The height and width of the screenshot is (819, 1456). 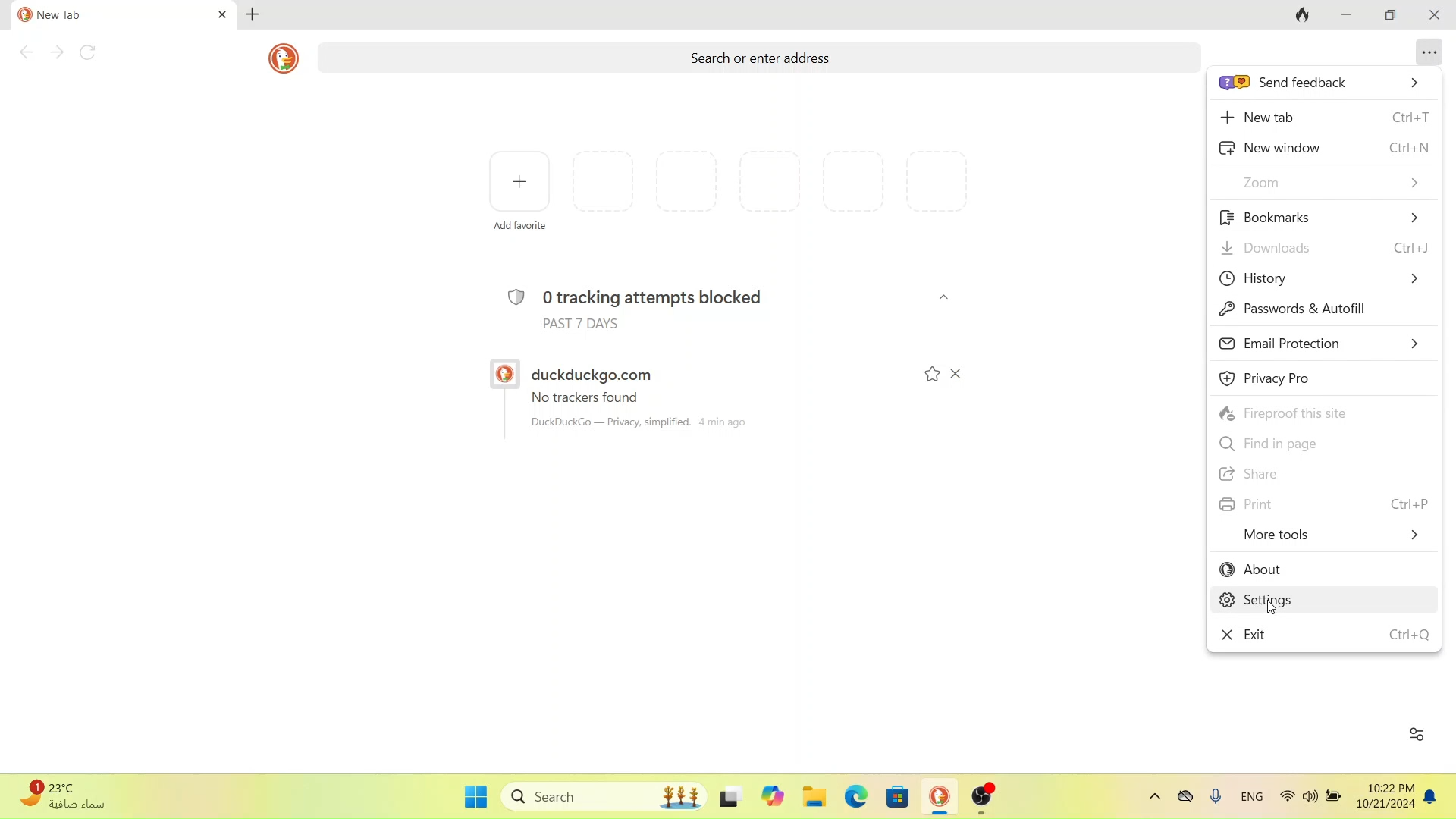 I want to click on time and date, so click(x=1384, y=799).